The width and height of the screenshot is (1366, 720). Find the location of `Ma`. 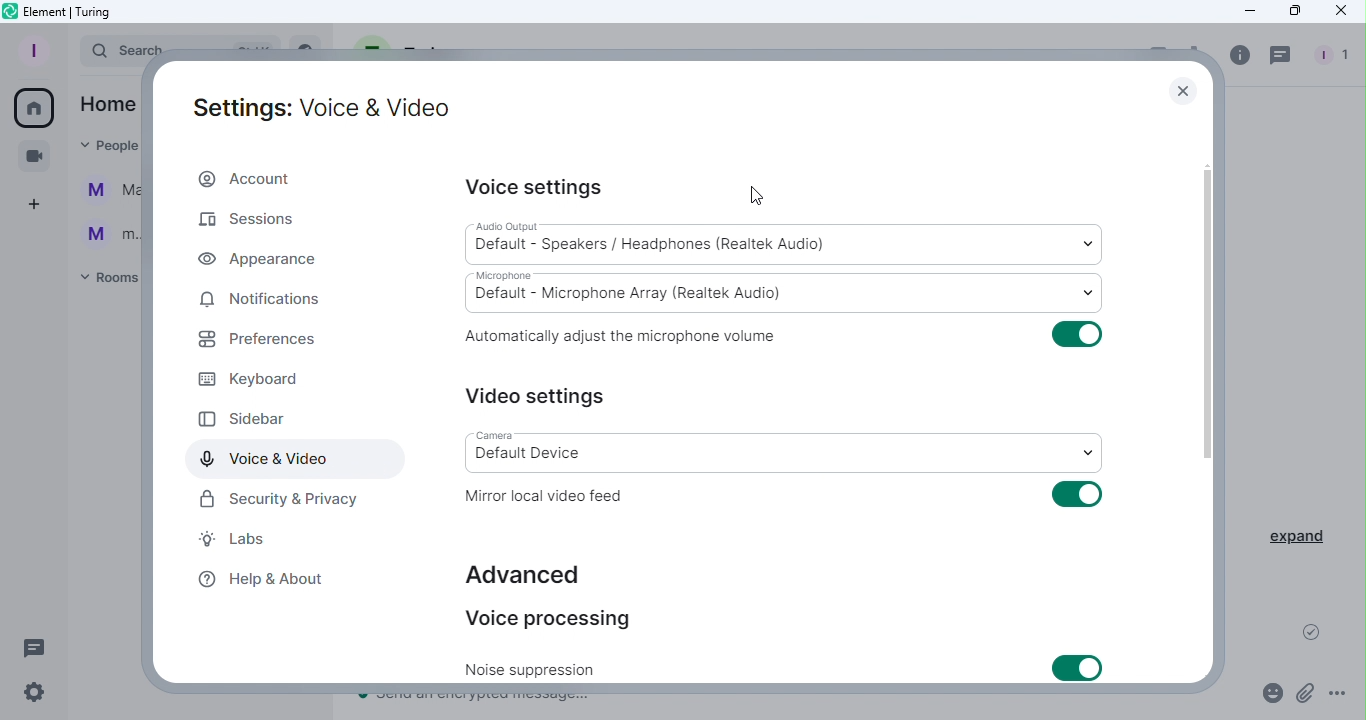

Ma is located at coordinates (110, 189).